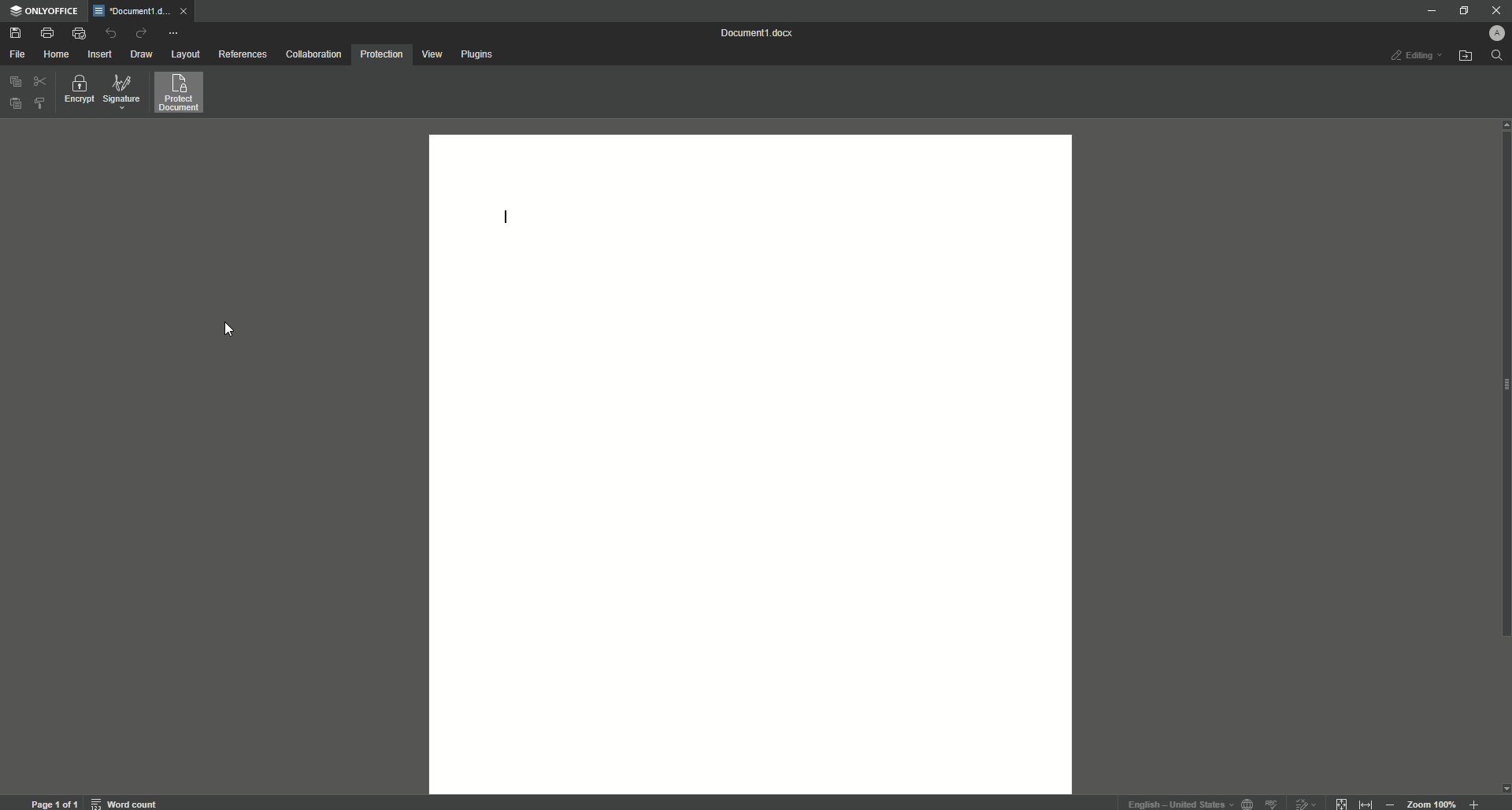 Image resolution: width=1512 pixels, height=810 pixels. What do you see at coordinates (17, 32) in the screenshot?
I see `Save` at bounding box center [17, 32].